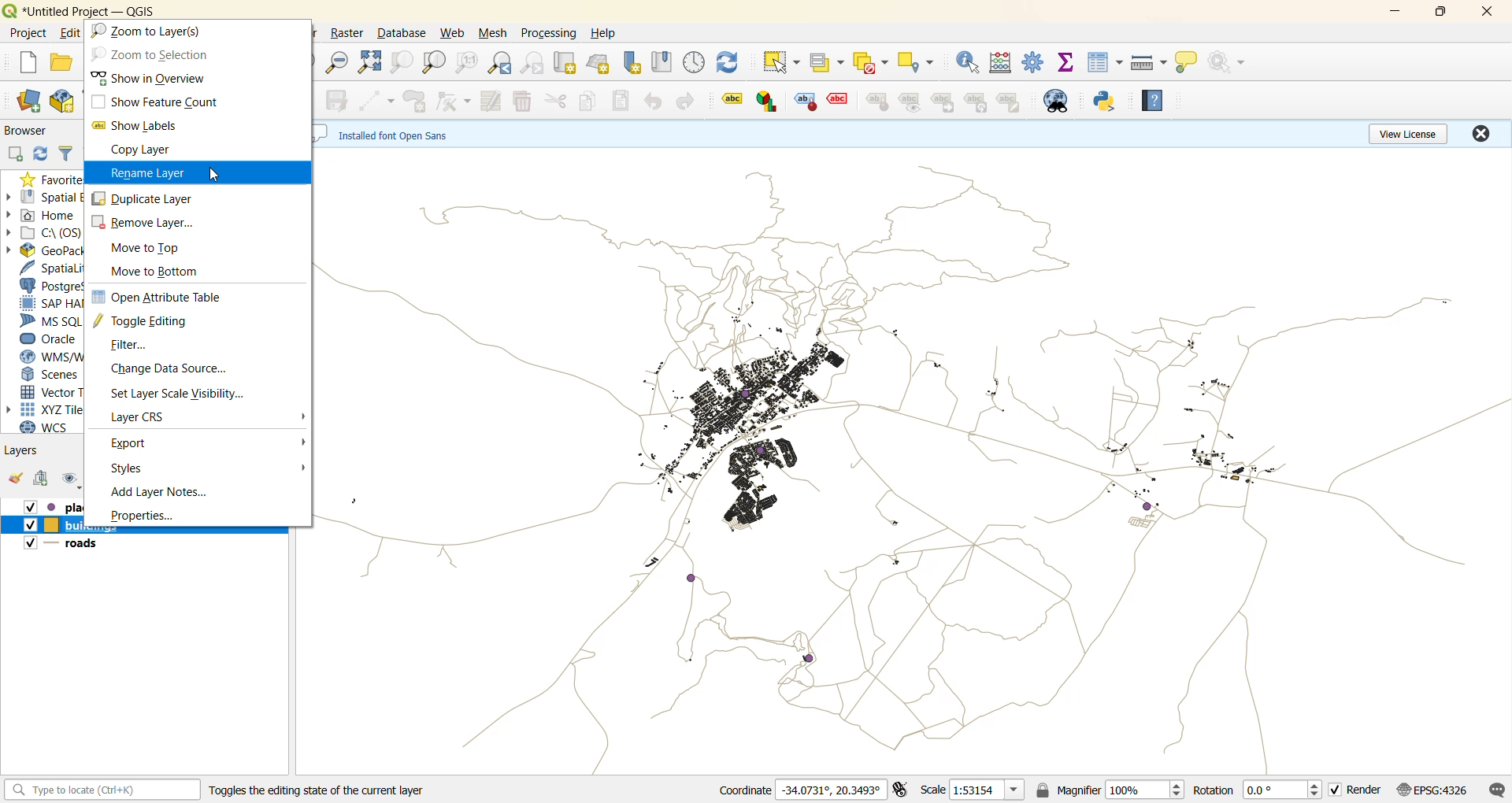  What do you see at coordinates (432, 62) in the screenshot?
I see `zoom layer` at bounding box center [432, 62].